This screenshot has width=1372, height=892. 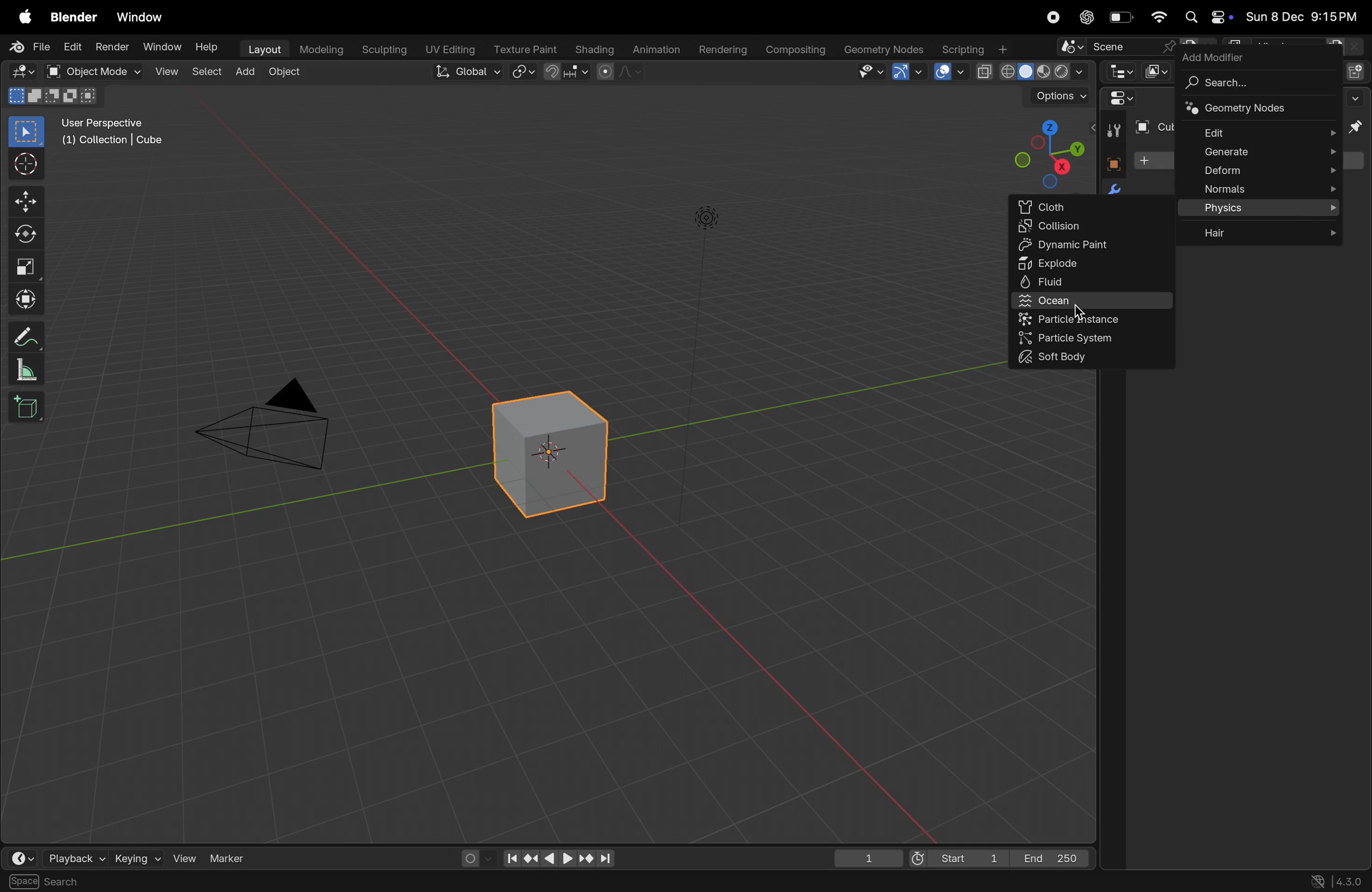 What do you see at coordinates (867, 71) in the screenshot?
I see `selectibality` at bounding box center [867, 71].